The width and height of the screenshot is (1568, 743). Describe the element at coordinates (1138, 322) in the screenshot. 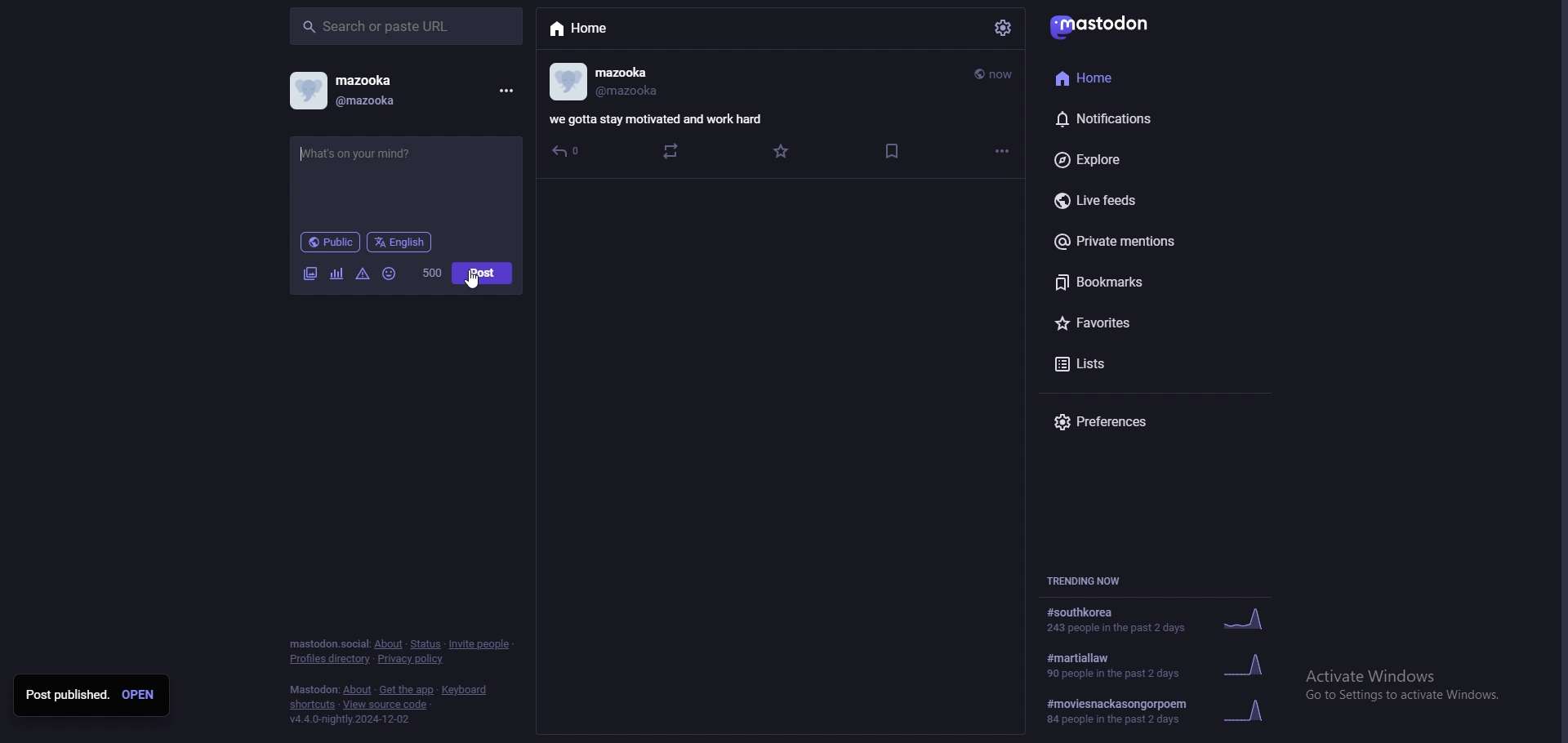

I see `favorites` at that location.